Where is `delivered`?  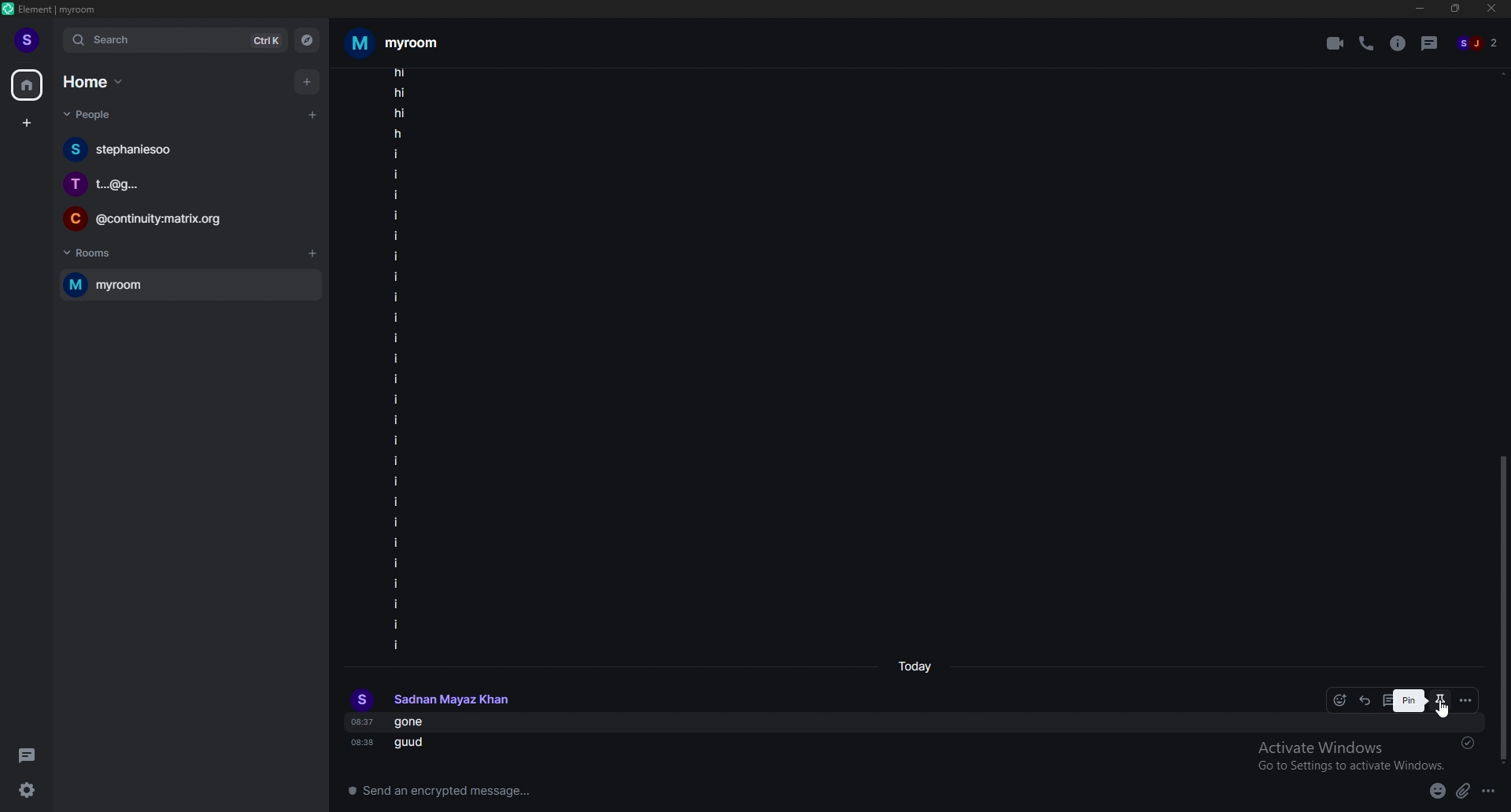 delivered is located at coordinates (1468, 743).